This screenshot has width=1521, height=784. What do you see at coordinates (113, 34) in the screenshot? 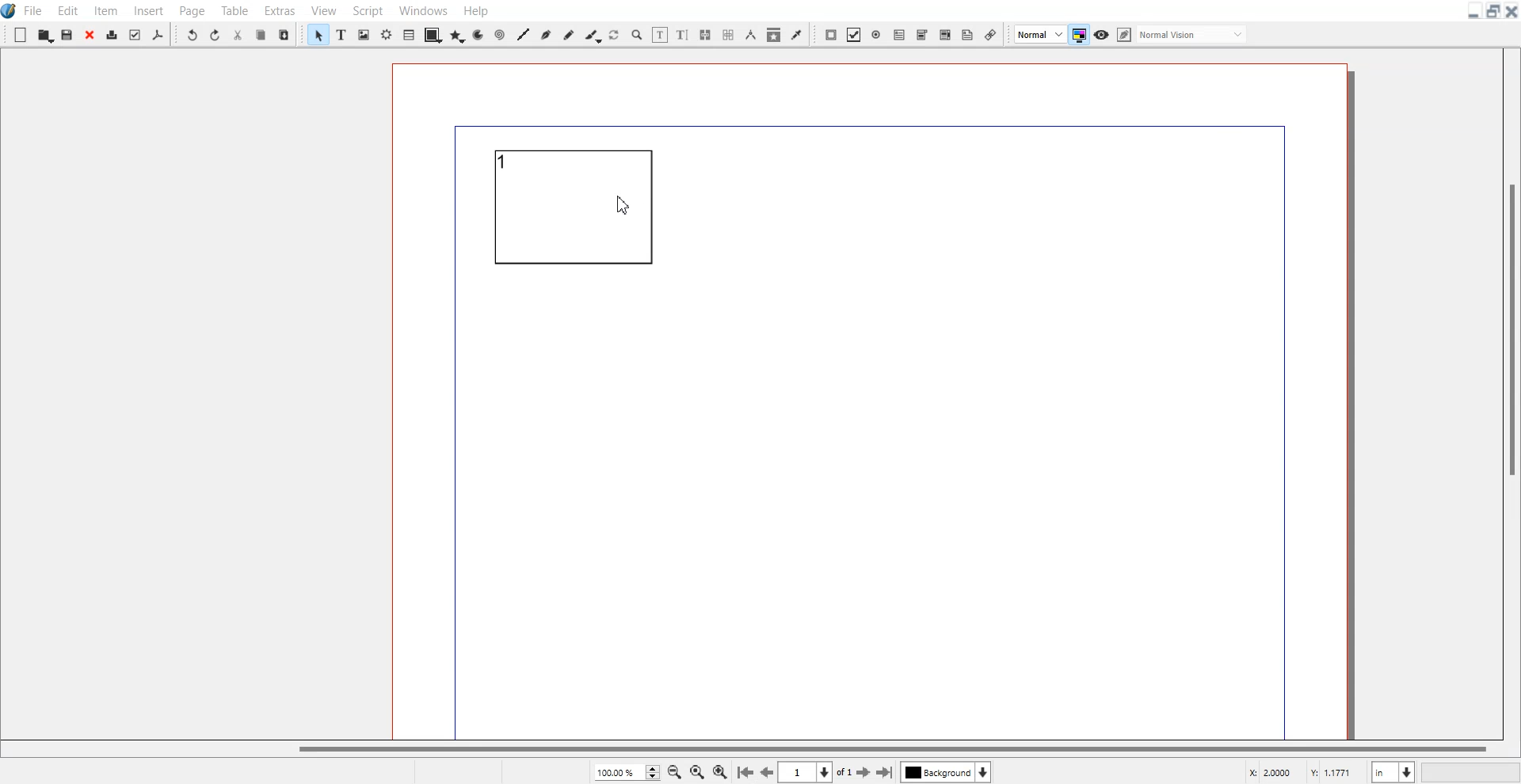
I see `Print` at bounding box center [113, 34].